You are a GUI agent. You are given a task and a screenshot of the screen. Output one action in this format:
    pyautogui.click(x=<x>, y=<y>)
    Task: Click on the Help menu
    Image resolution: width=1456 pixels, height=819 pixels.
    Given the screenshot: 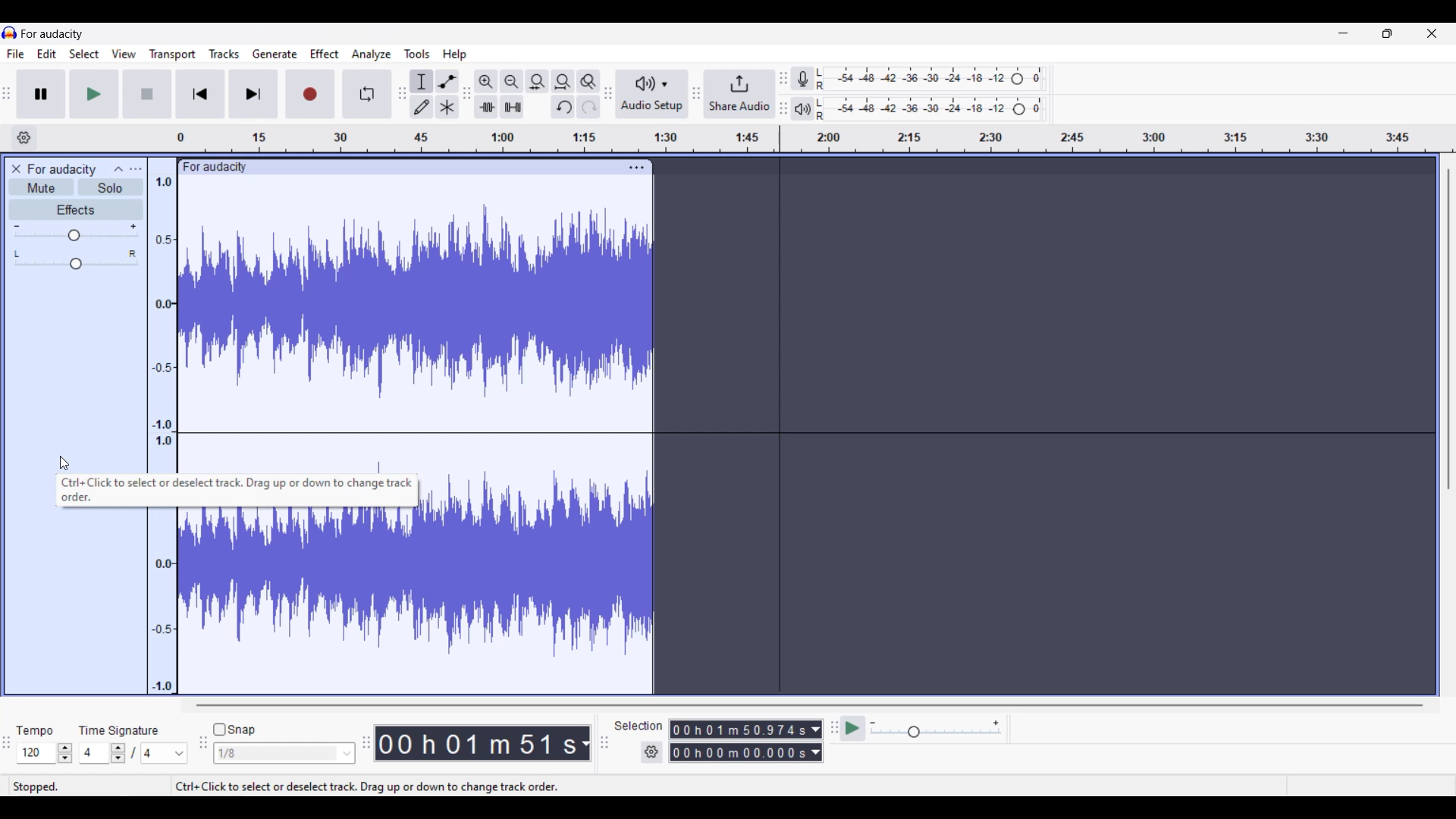 What is the action you would take?
    pyautogui.click(x=455, y=55)
    